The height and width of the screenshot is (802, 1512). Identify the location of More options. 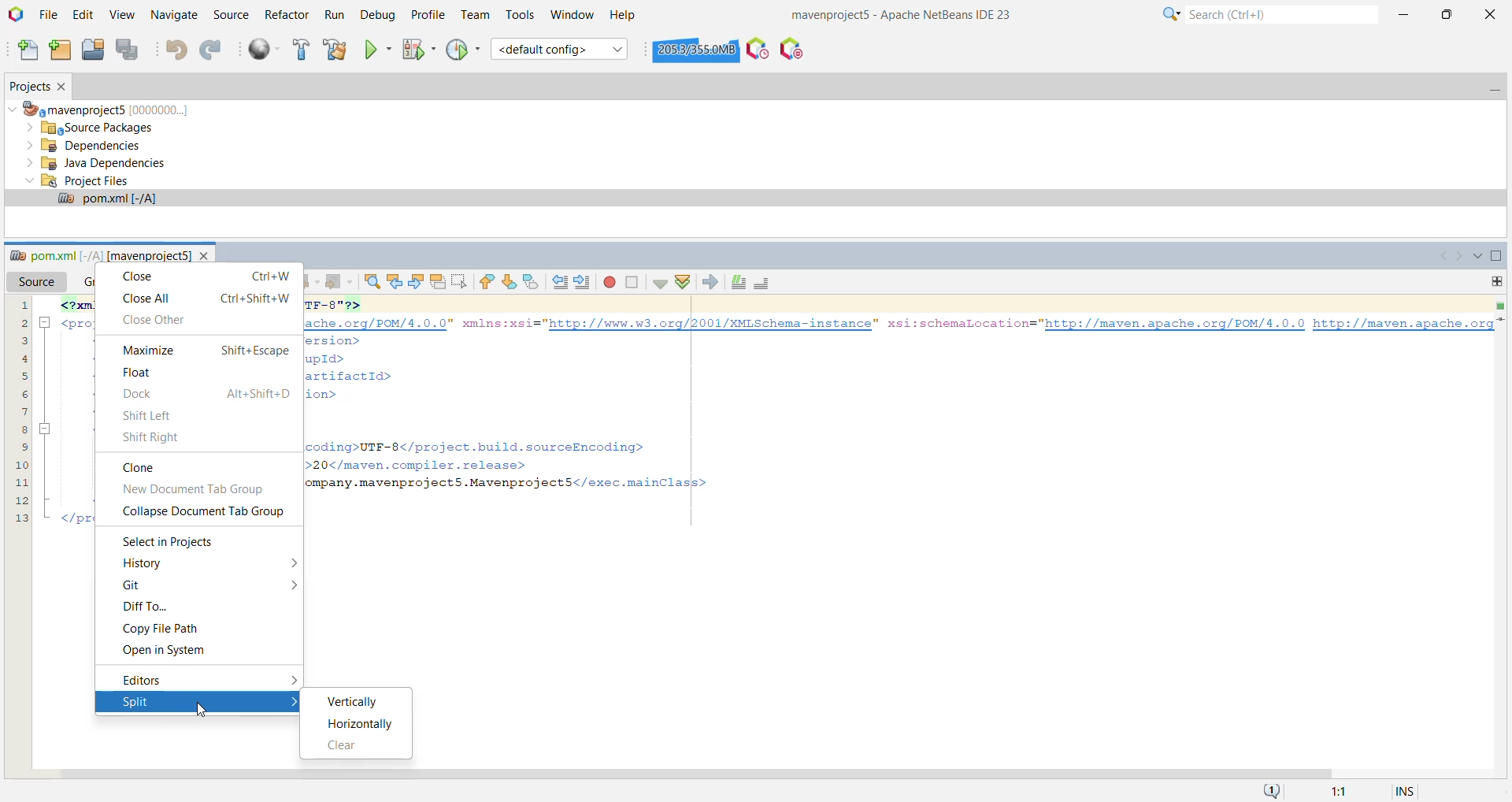
(287, 563).